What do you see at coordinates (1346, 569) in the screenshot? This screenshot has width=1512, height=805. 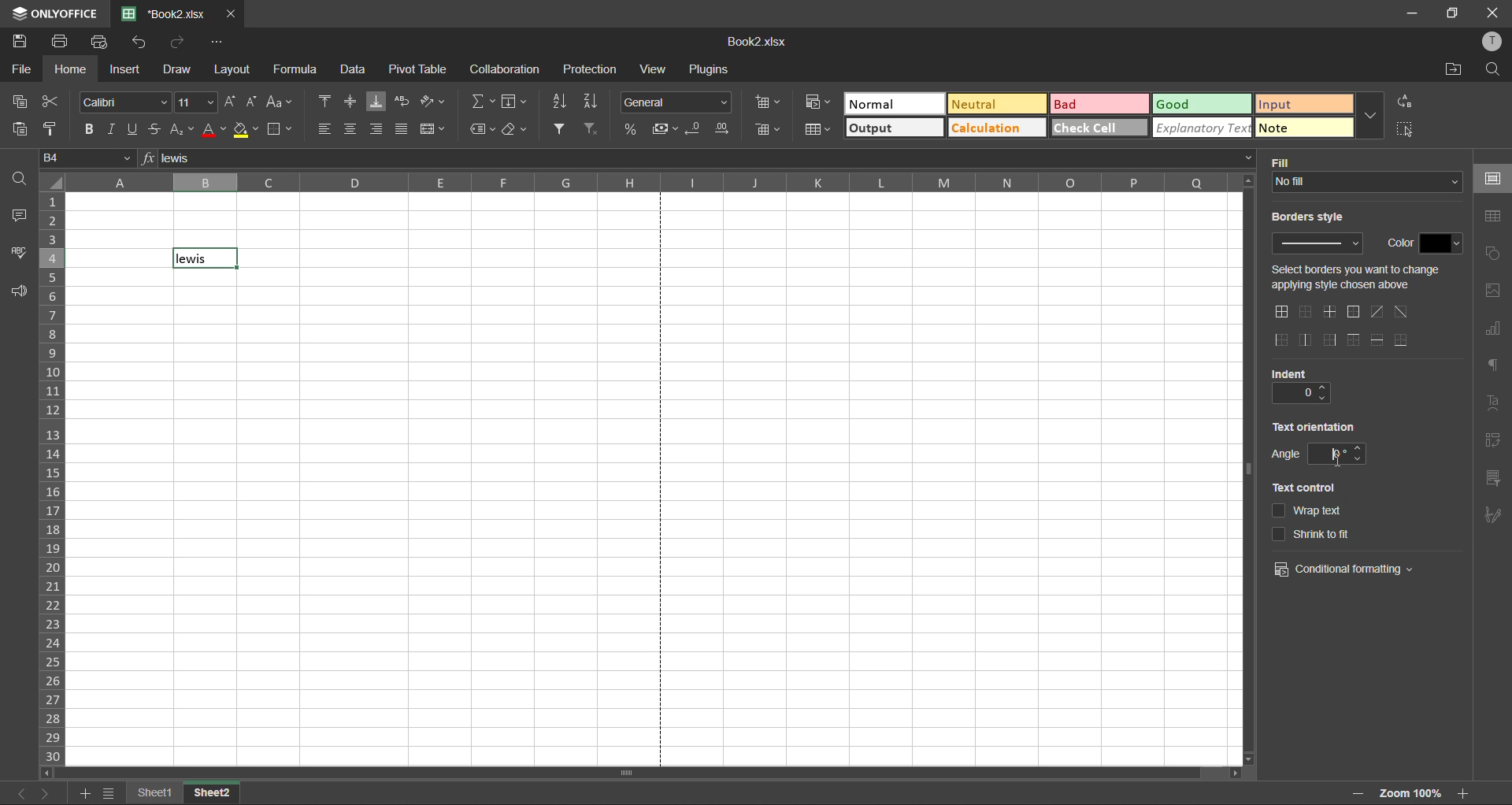 I see `conditional formatting` at bounding box center [1346, 569].